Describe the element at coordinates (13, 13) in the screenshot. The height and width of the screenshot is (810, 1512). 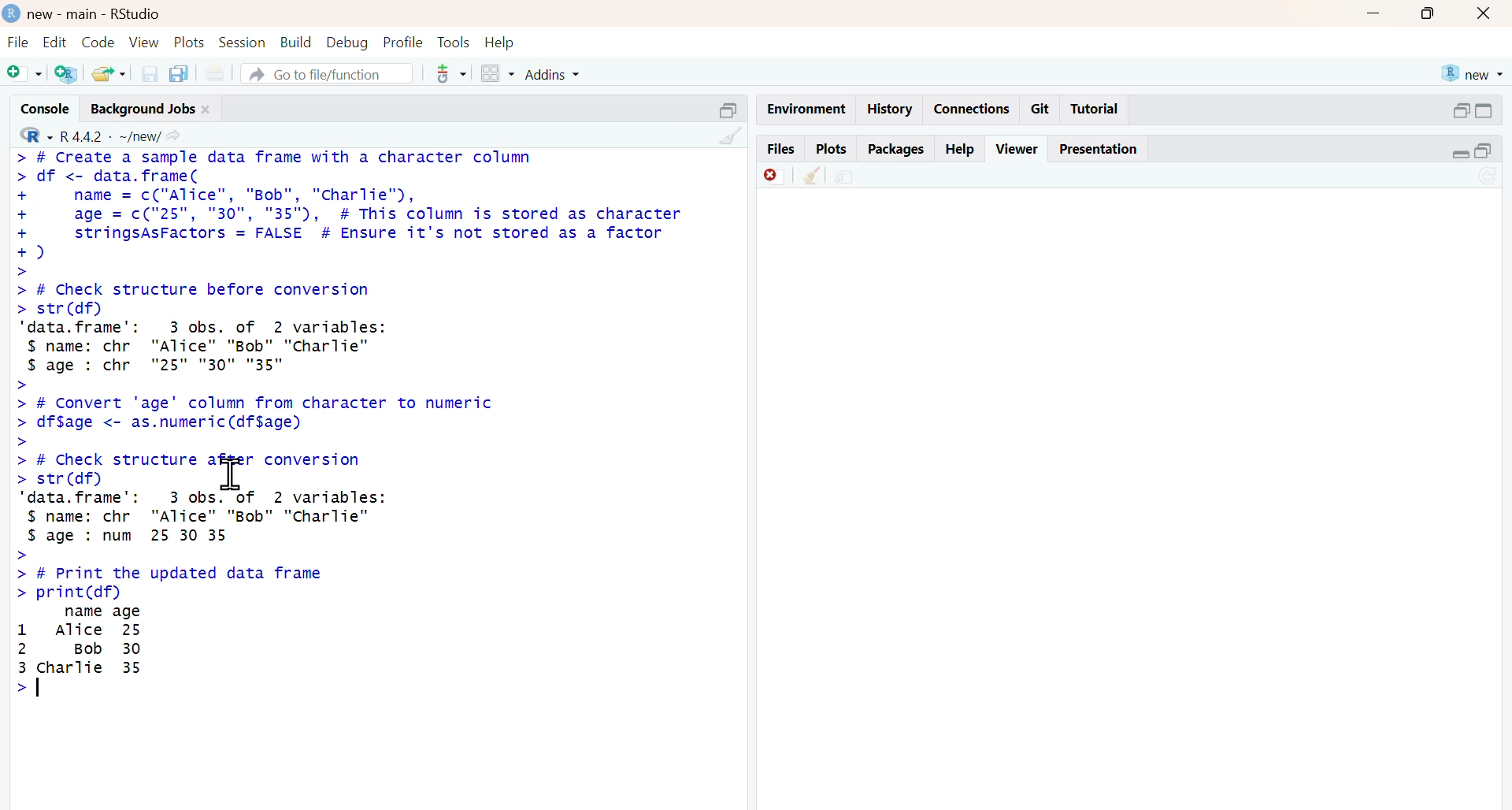
I see `logo` at that location.